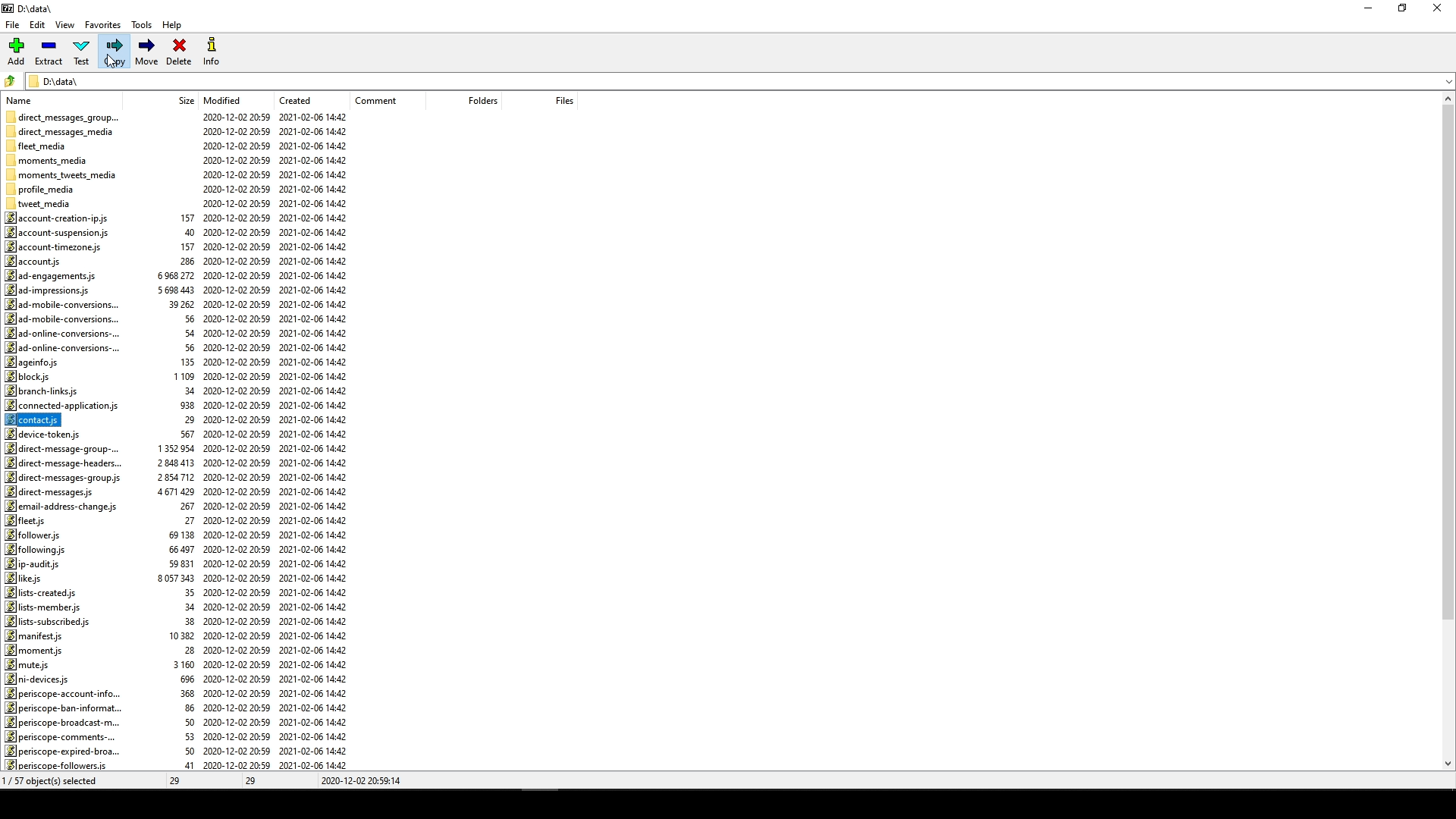 The image size is (1456, 819). Describe the element at coordinates (40, 678) in the screenshot. I see `ni-devices.js` at that location.